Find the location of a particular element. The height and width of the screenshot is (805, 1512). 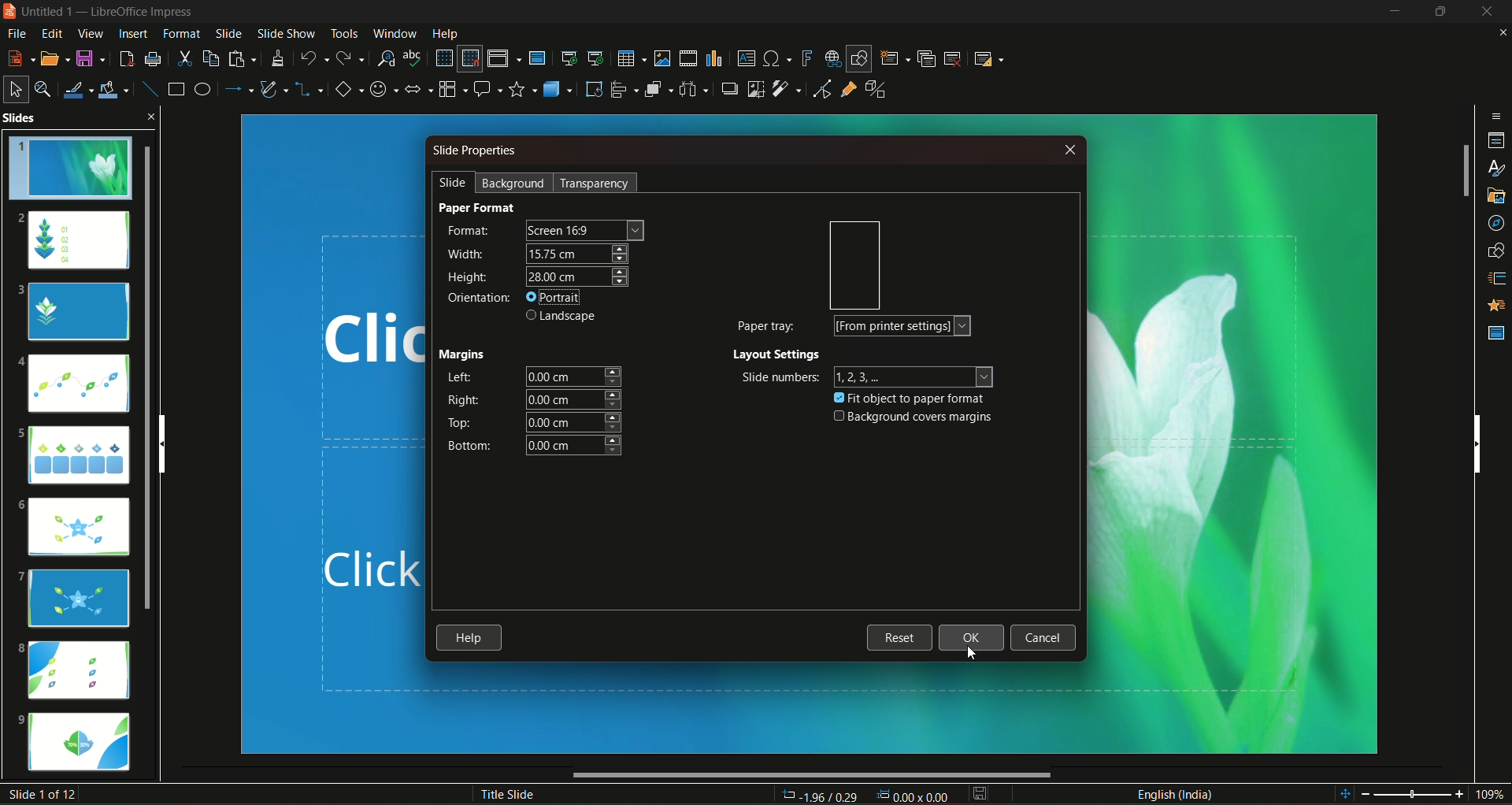

cut is located at coordinates (184, 57).